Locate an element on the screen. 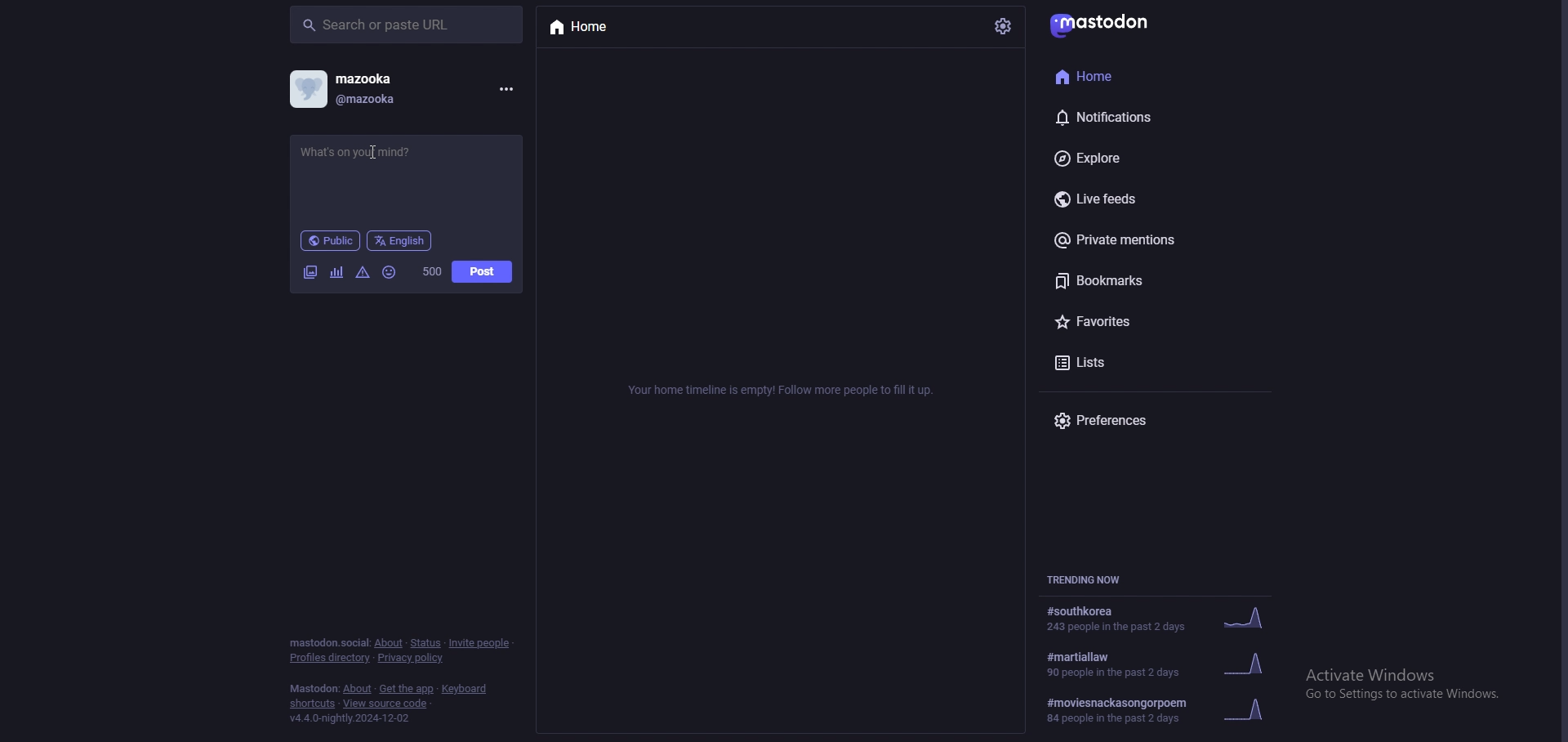 The width and height of the screenshot is (1568, 742). warning is located at coordinates (363, 273).